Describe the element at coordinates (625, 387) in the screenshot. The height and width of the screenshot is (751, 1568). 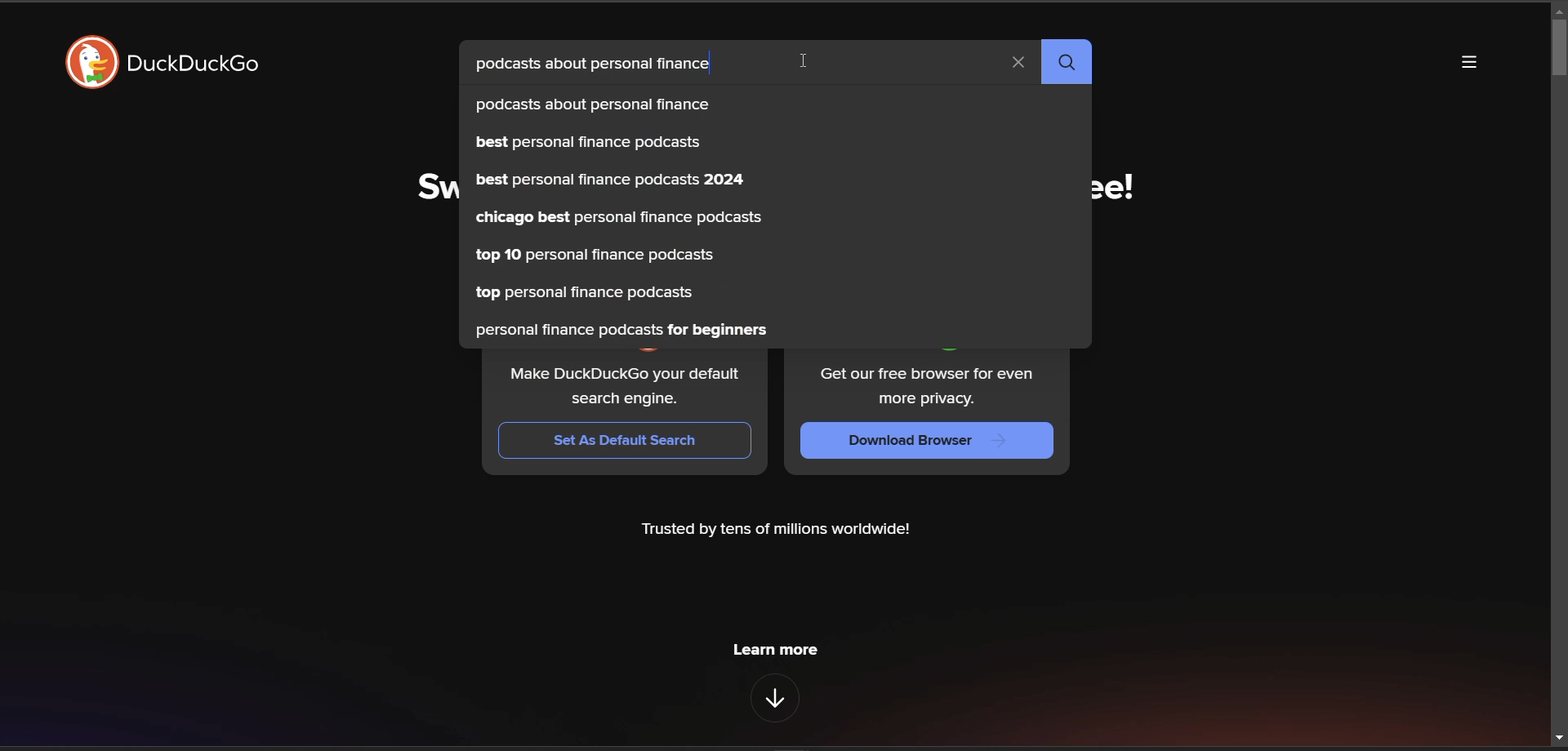
I see `Make DuckDuckGo your default
search engine.` at that location.